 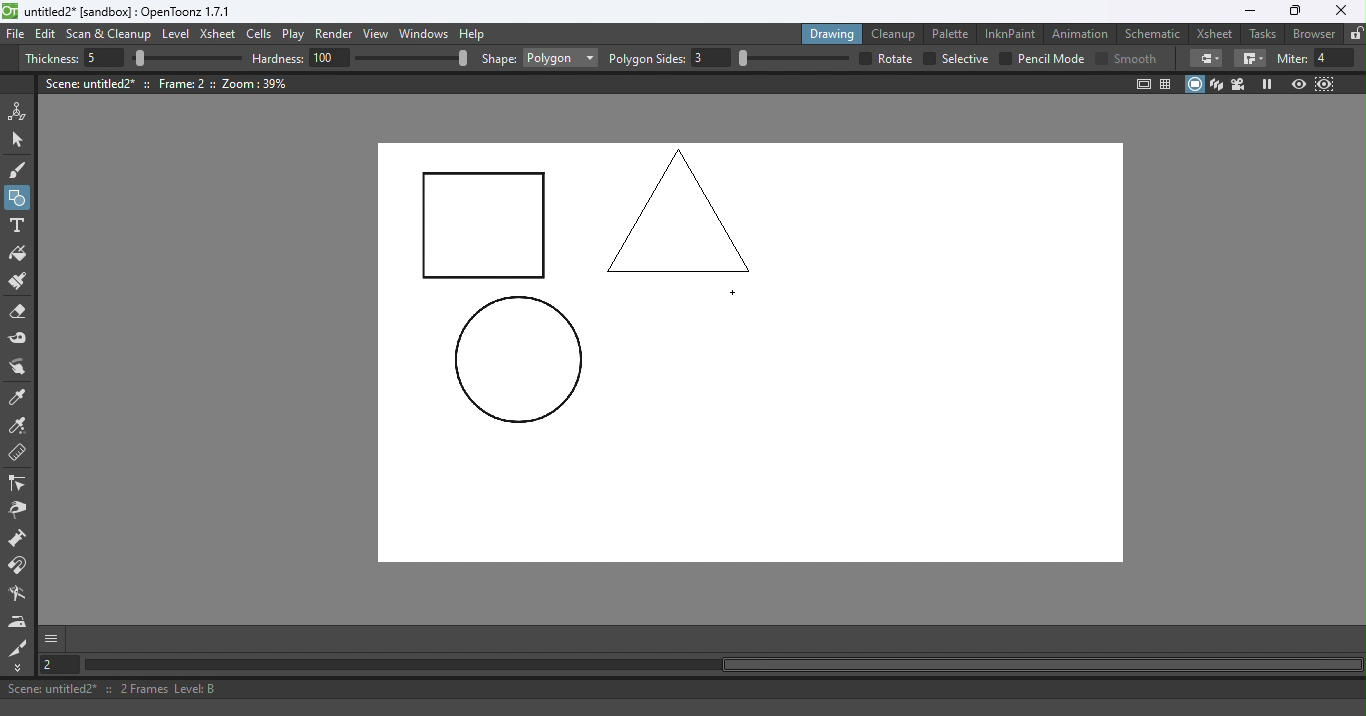 I want to click on over all, so click(x=897, y=58).